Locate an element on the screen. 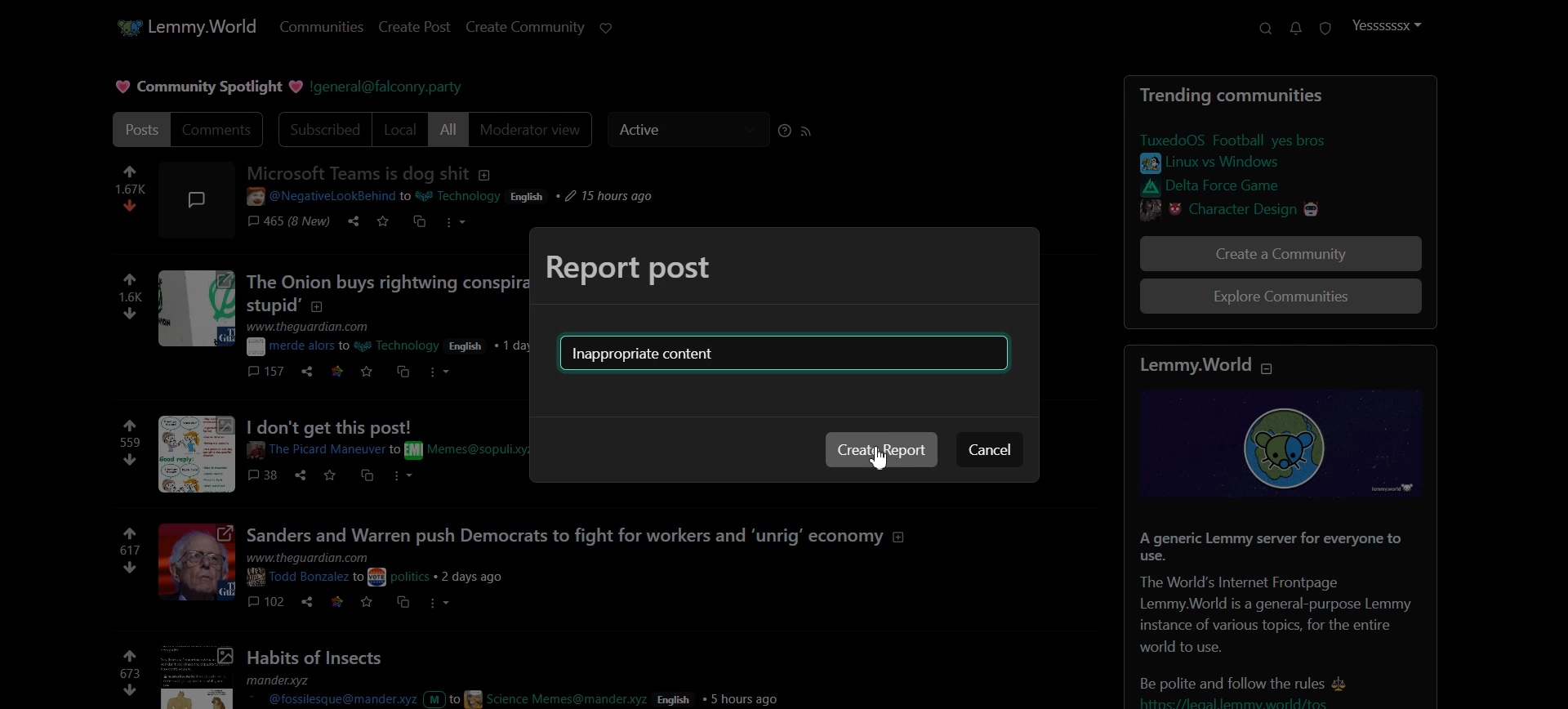 The height and width of the screenshot is (709, 1568). Create Post is located at coordinates (415, 27).